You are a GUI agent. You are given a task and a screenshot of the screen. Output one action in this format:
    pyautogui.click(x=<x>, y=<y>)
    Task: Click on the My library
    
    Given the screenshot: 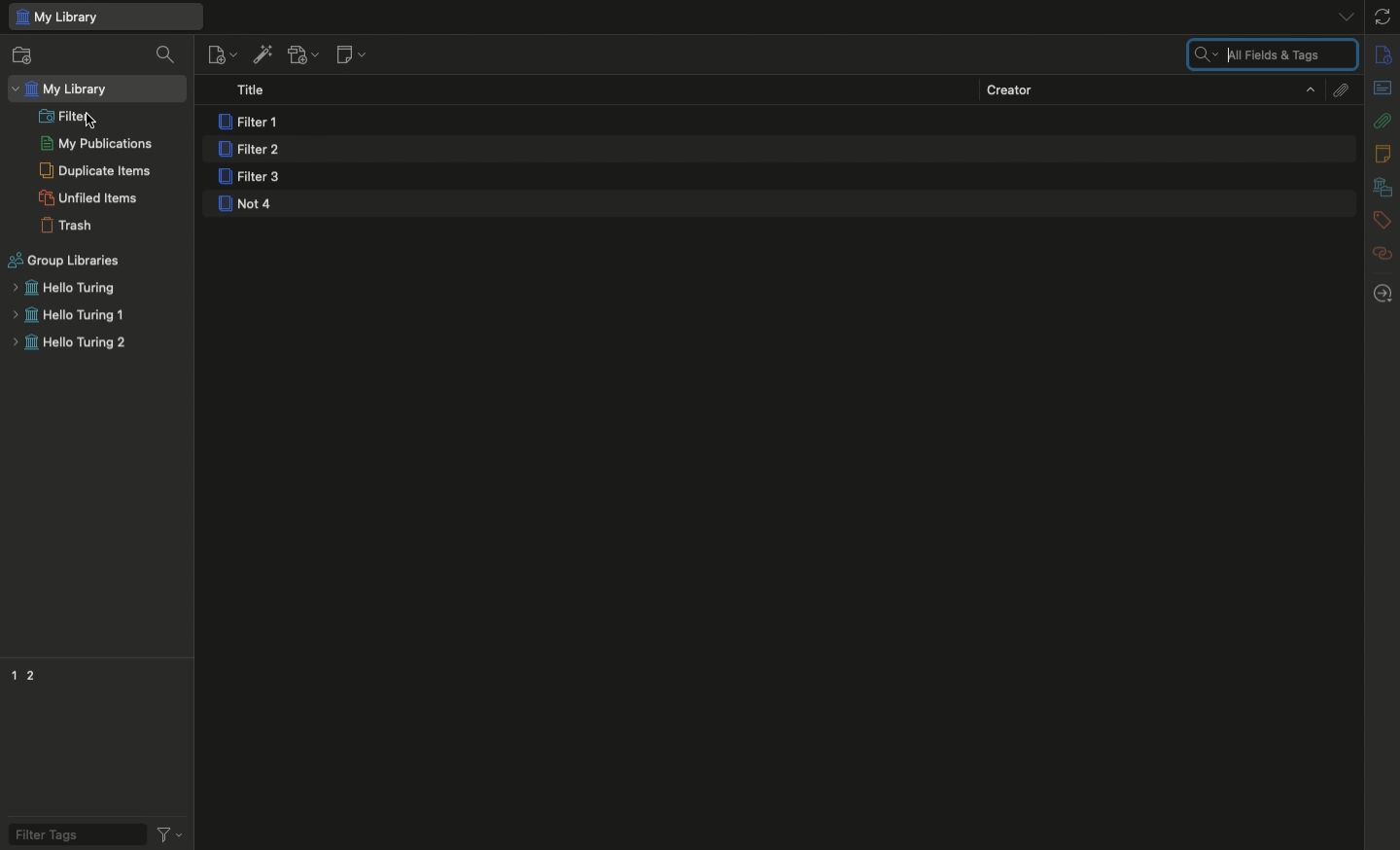 What is the action you would take?
    pyautogui.click(x=63, y=89)
    